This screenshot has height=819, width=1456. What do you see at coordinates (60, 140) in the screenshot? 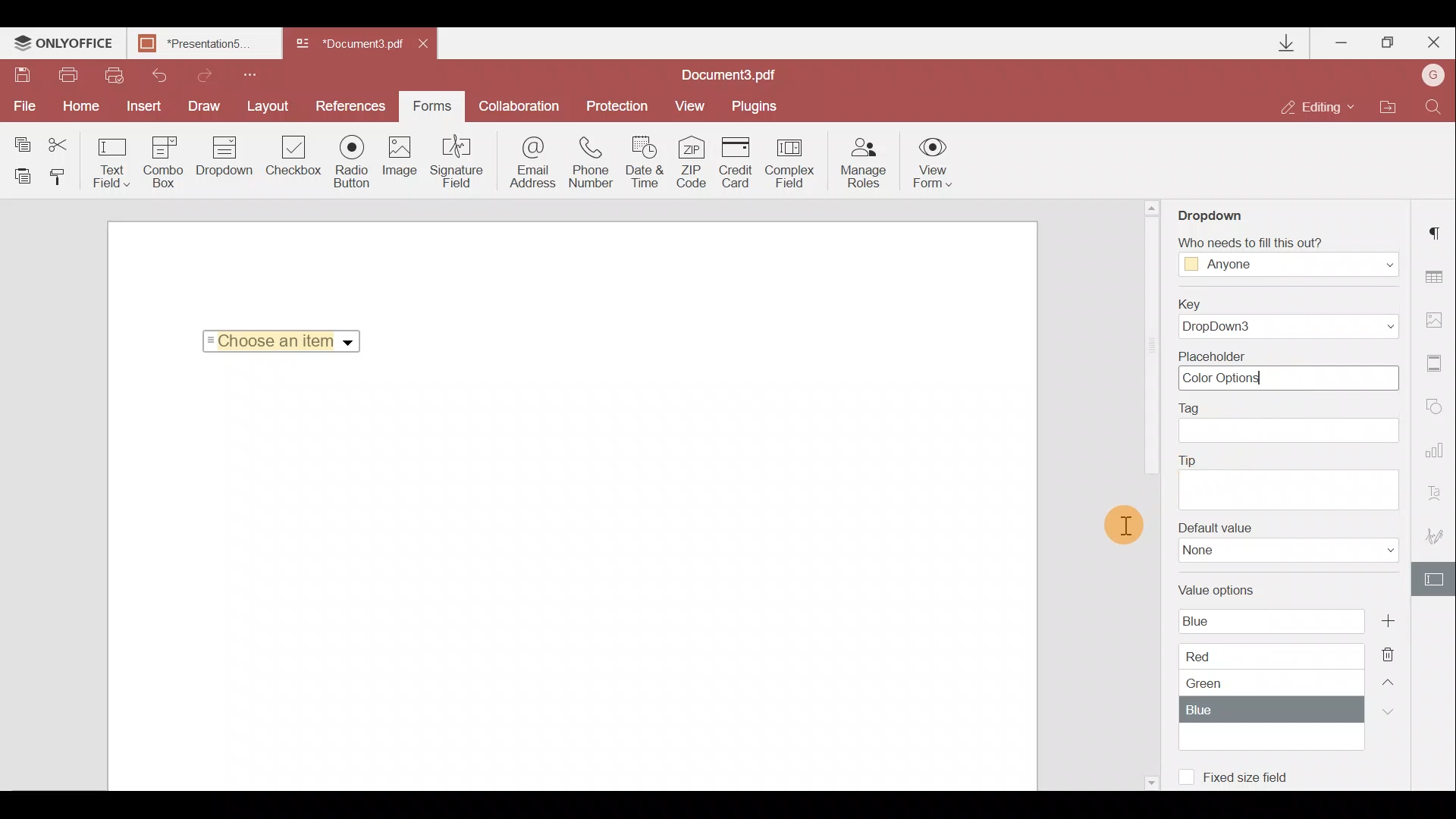
I see `Cut` at bounding box center [60, 140].